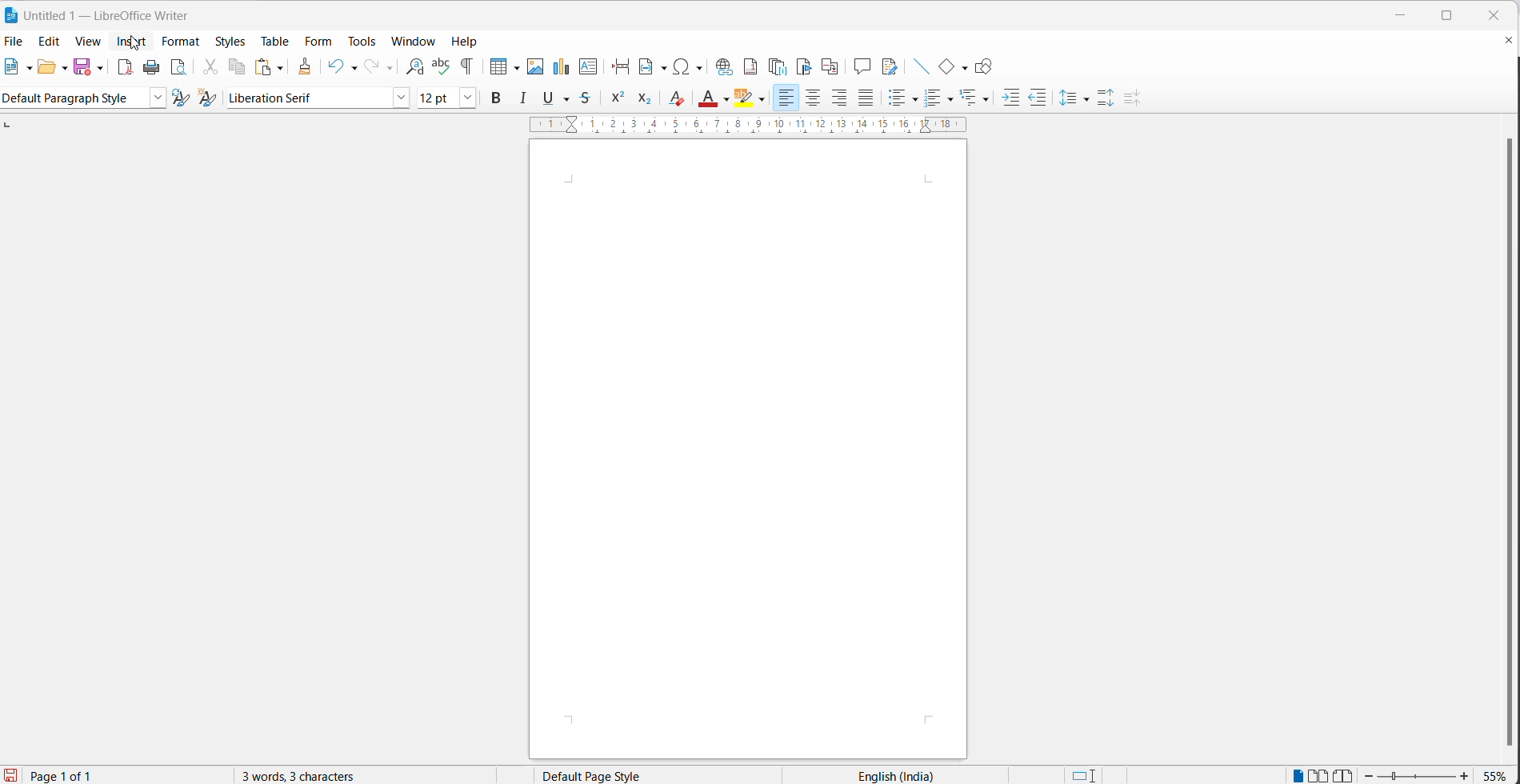 Image resolution: width=1520 pixels, height=784 pixels. What do you see at coordinates (1498, 14) in the screenshot?
I see `close` at bounding box center [1498, 14].